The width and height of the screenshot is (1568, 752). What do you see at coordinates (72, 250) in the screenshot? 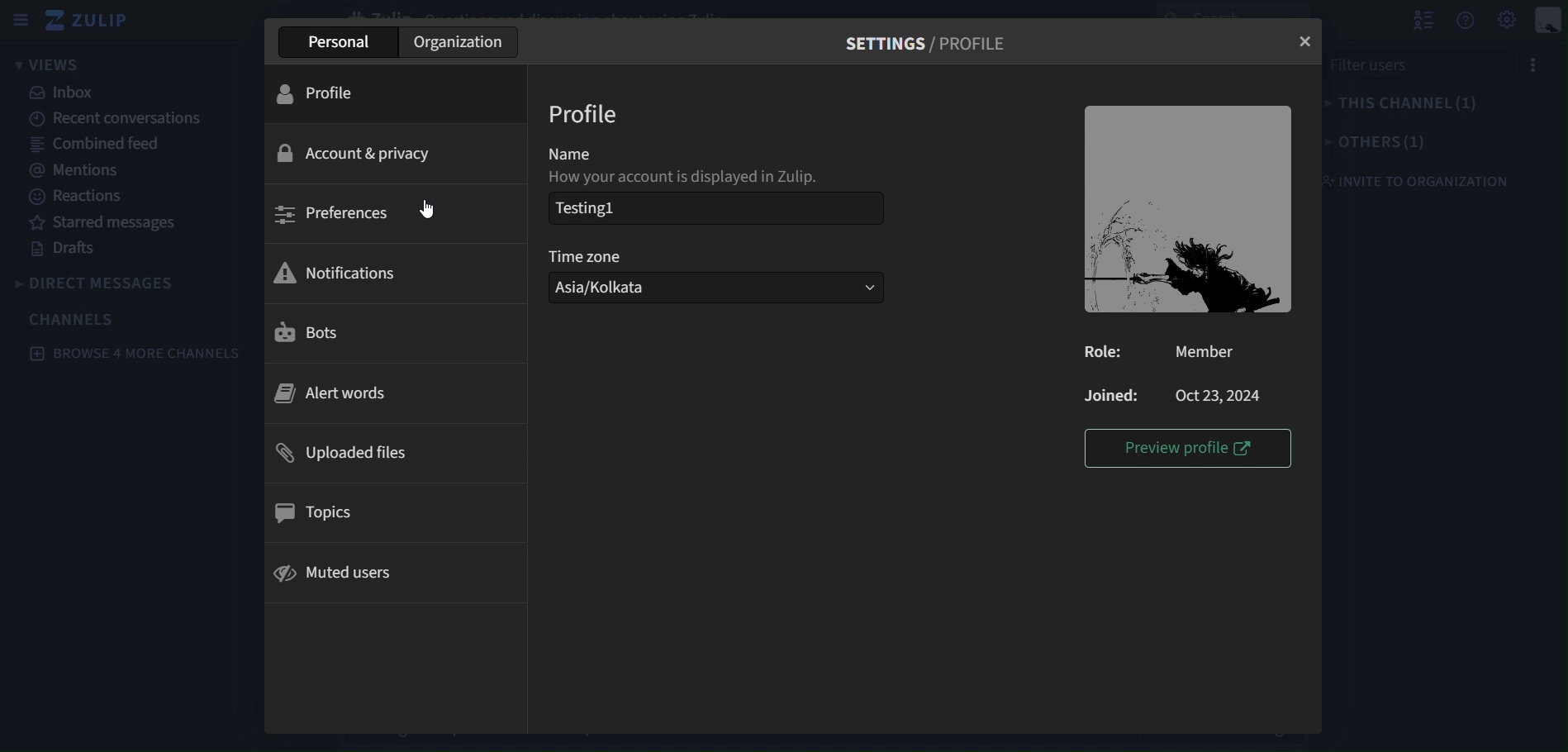
I see `drafts` at bounding box center [72, 250].